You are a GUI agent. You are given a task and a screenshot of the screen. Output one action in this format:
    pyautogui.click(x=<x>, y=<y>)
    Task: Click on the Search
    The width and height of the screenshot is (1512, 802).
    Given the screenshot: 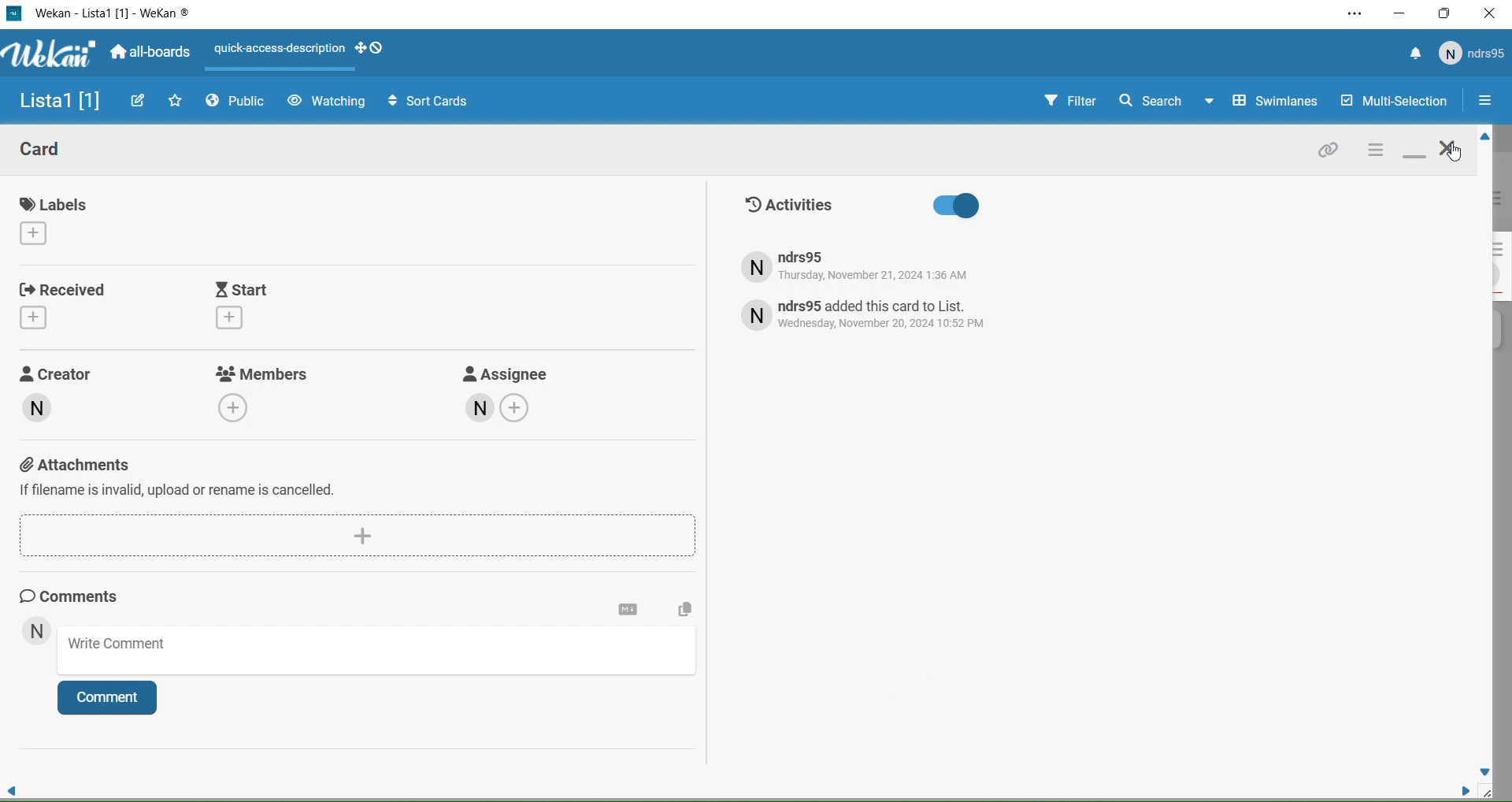 What is the action you would take?
    pyautogui.click(x=613, y=489)
    